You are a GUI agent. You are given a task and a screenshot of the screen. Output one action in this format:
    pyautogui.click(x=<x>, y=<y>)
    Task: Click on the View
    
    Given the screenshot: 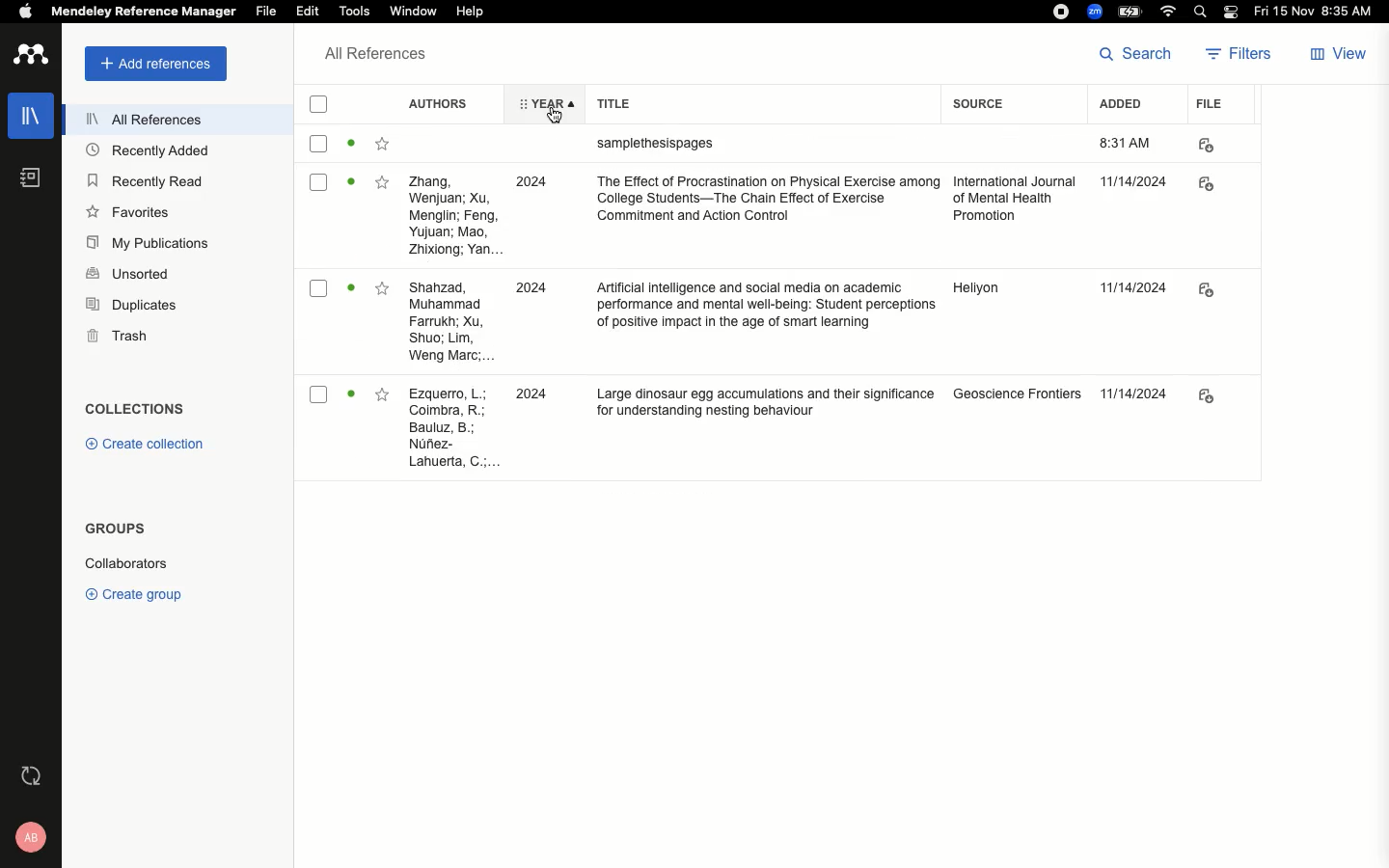 What is the action you would take?
    pyautogui.click(x=1336, y=54)
    